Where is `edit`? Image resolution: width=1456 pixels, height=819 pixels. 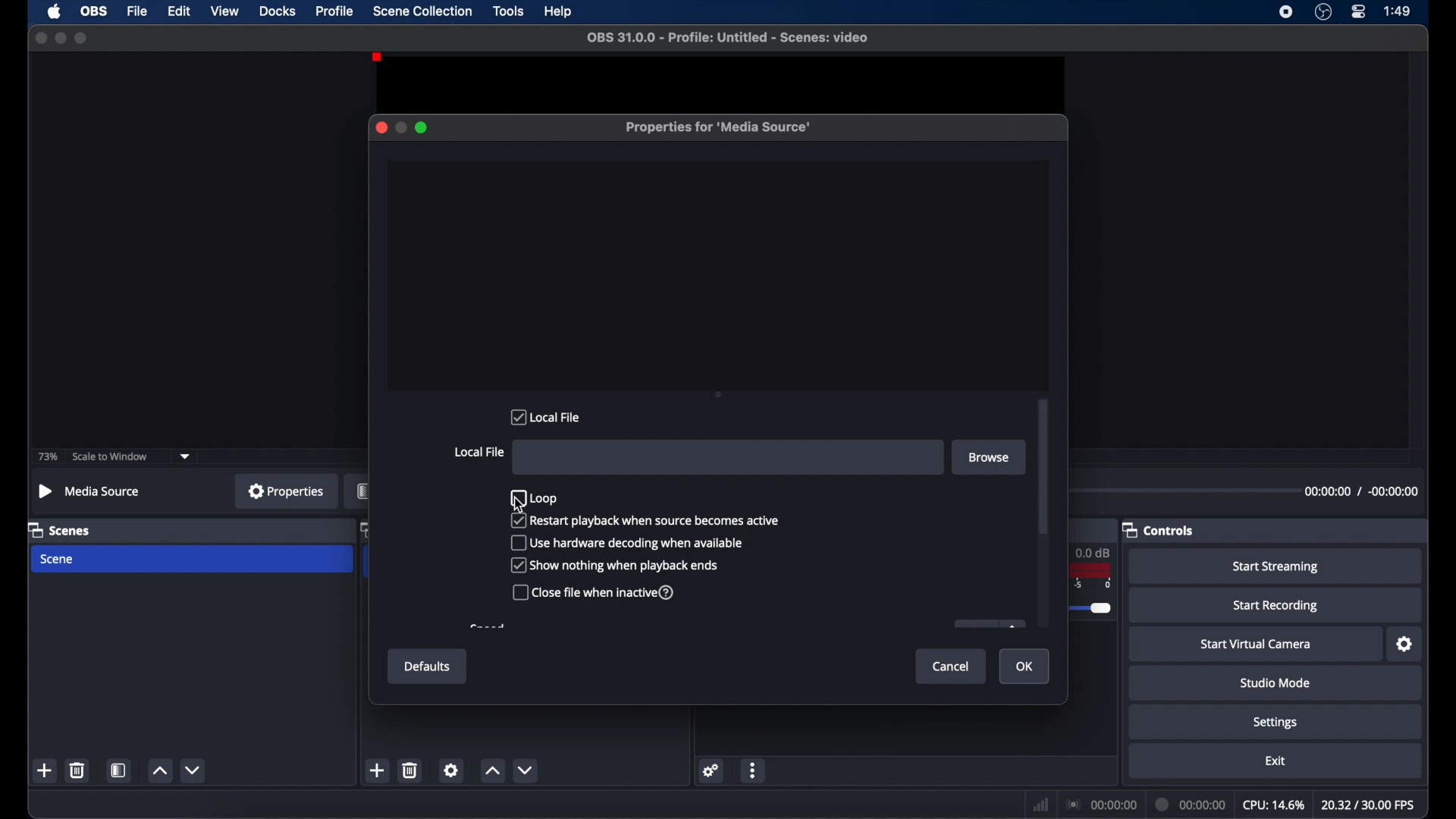 edit is located at coordinates (178, 11).